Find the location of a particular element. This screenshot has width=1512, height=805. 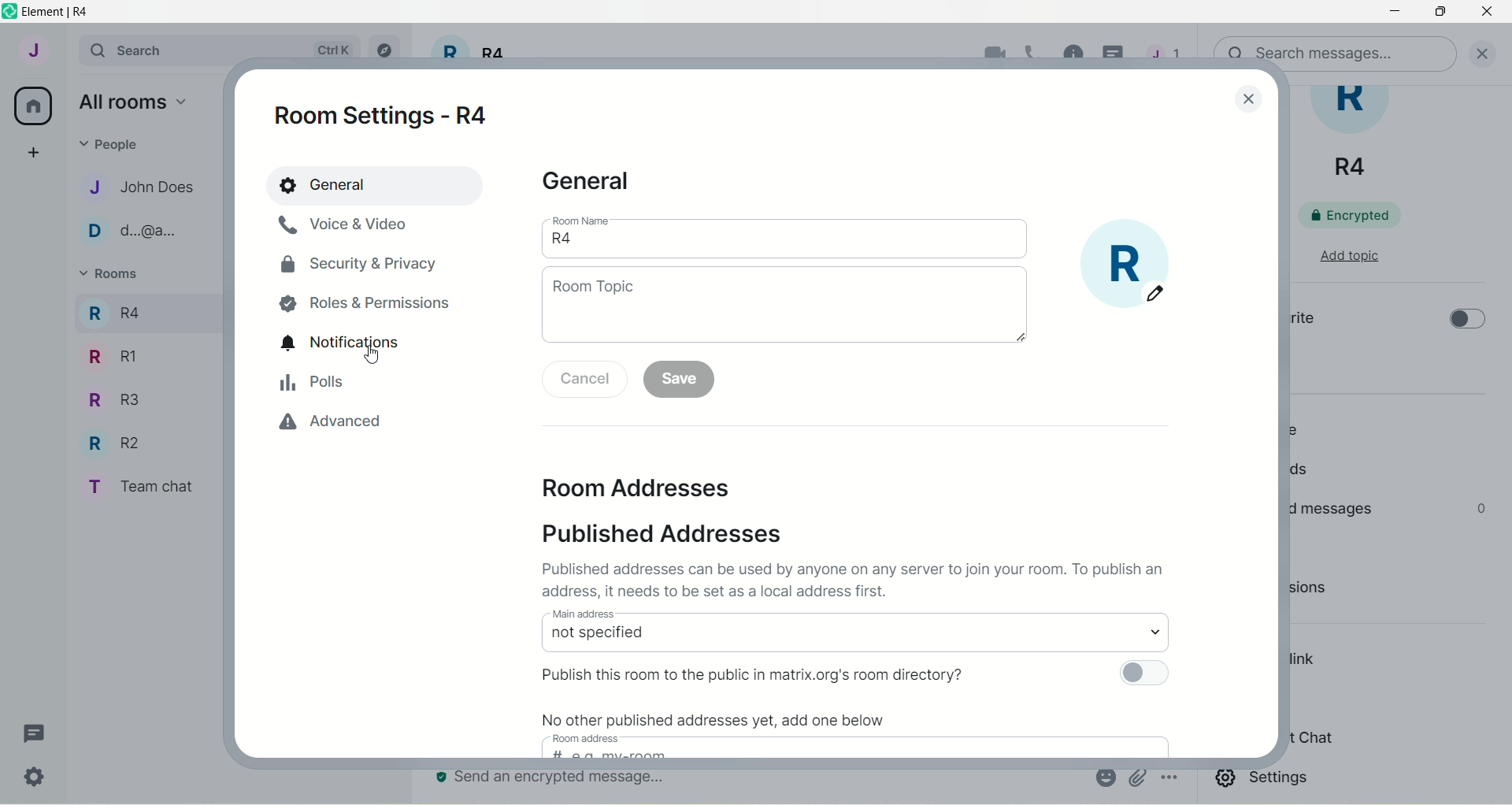

room name R4 is located at coordinates (784, 234).